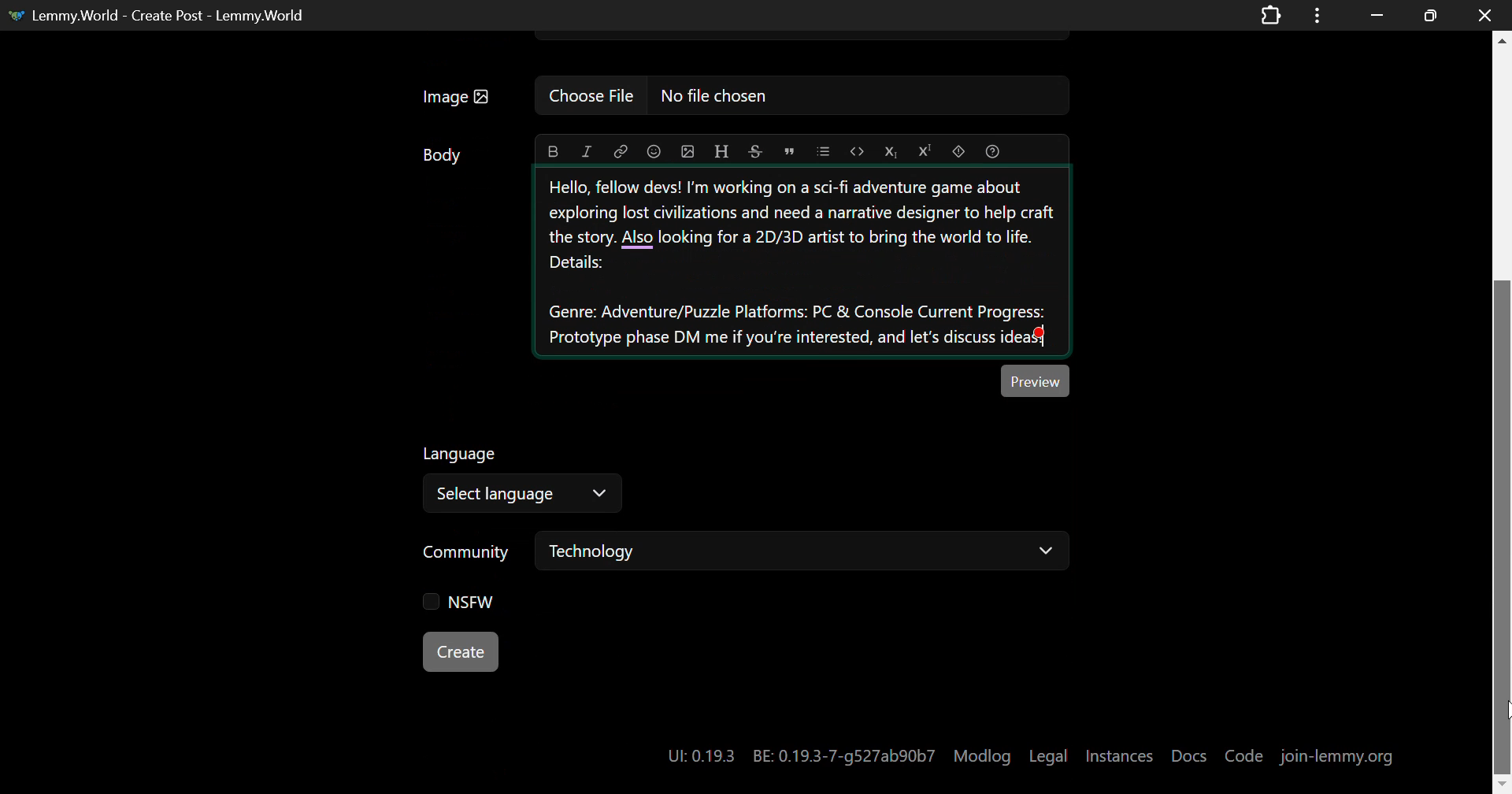 The height and width of the screenshot is (794, 1512). I want to click on strikethrough, so click(754, 151).